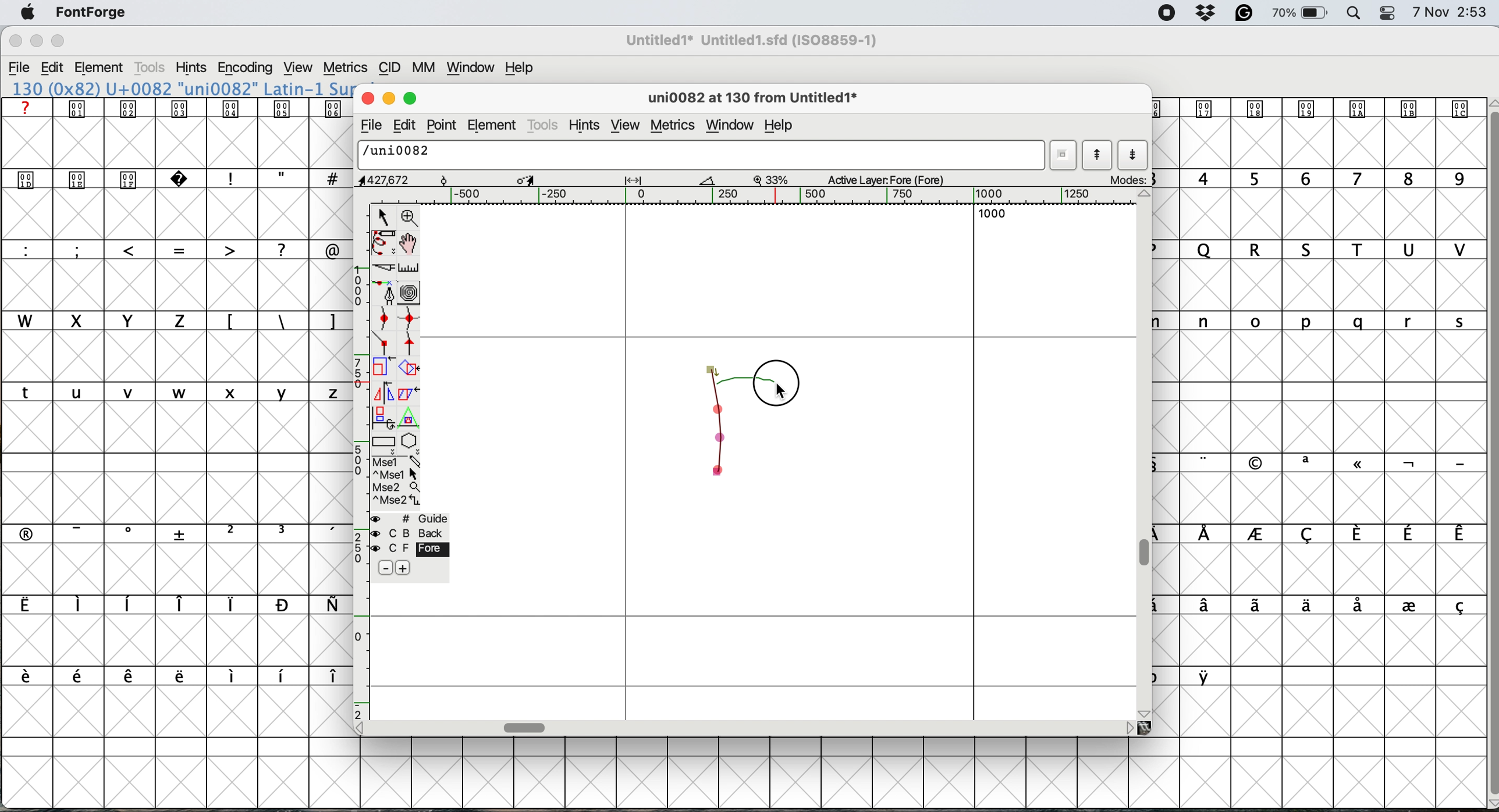 Image resolution: width=1499 pixels, height=812 pixels. What do you see at coordinates (539, 180) in the screenshot?
I see `glyph details` at bounding box center [539, 180].